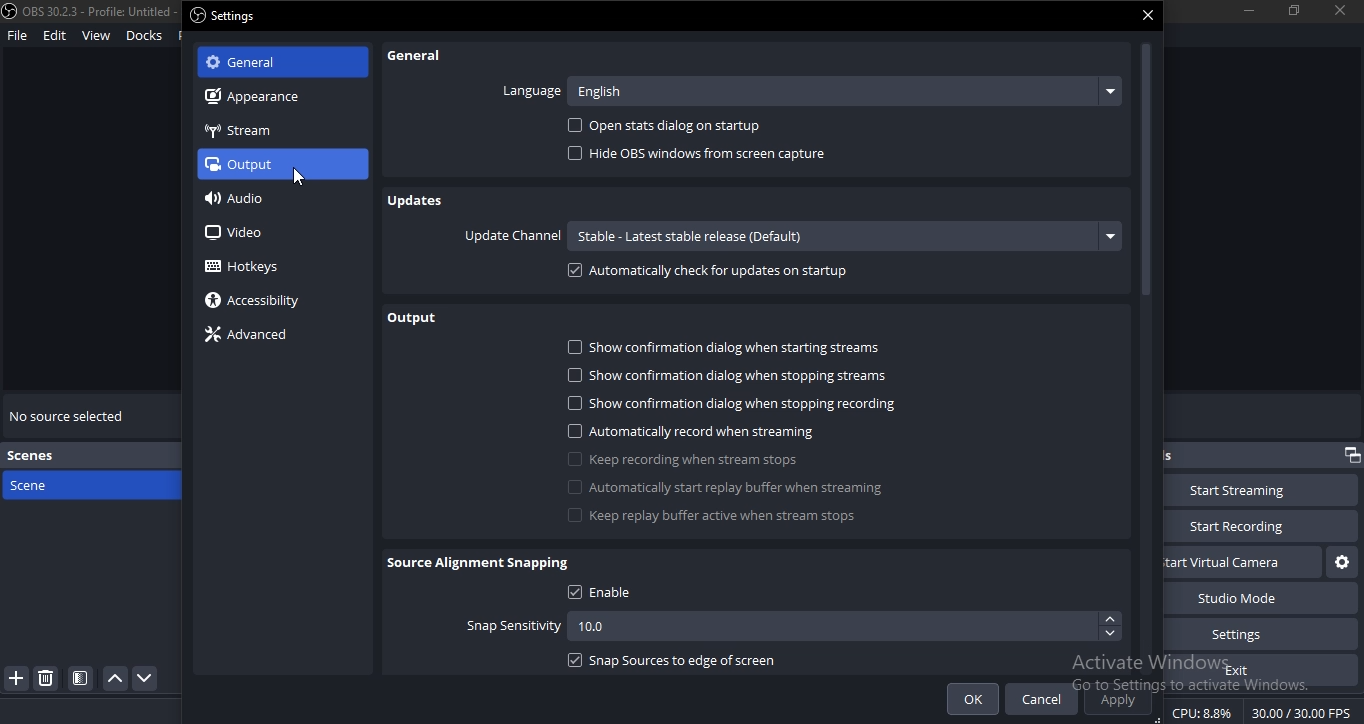 The image size is (1364, 724). What do you see at coordinates (732, 350) in the screenshot?
I see `show confirmation dialog when starting streams` at bounding box center [732, 350].